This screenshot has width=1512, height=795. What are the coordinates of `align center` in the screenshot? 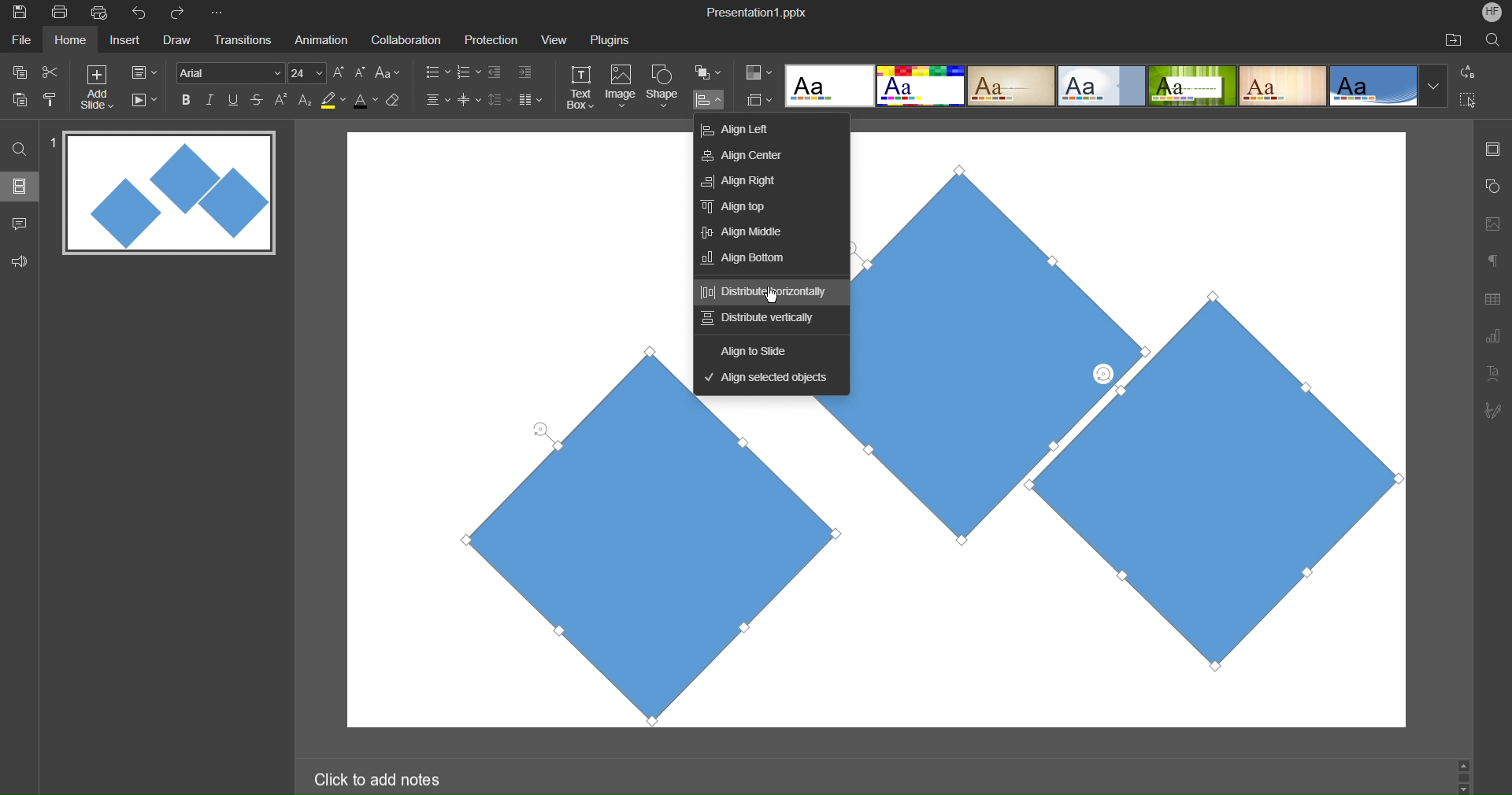 It's located at (765, 154).